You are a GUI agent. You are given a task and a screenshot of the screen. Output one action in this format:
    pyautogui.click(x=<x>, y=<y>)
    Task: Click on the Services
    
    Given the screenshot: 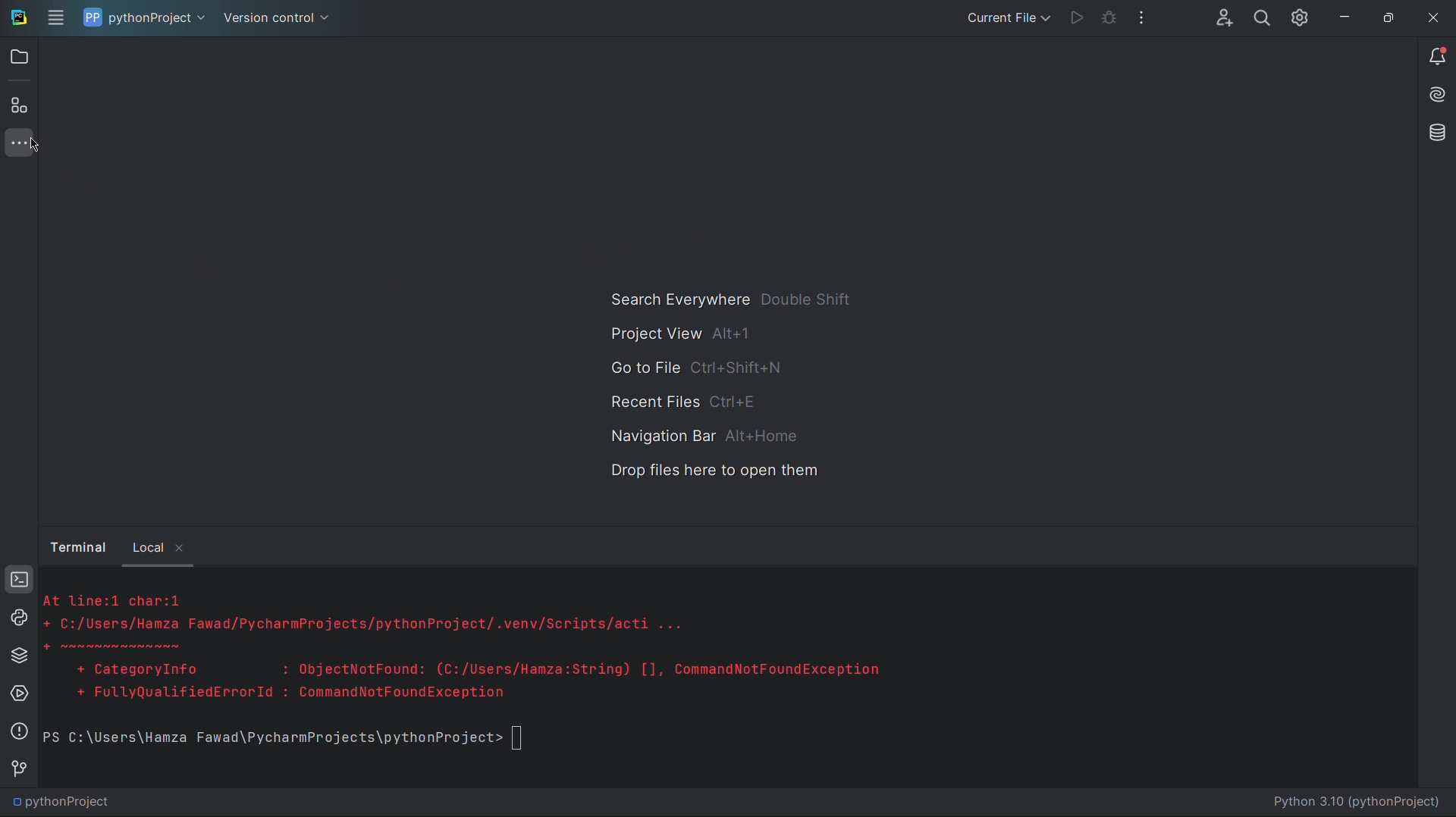 What is the action you would take?
    pyautogui.click(x=19, y=696)
    